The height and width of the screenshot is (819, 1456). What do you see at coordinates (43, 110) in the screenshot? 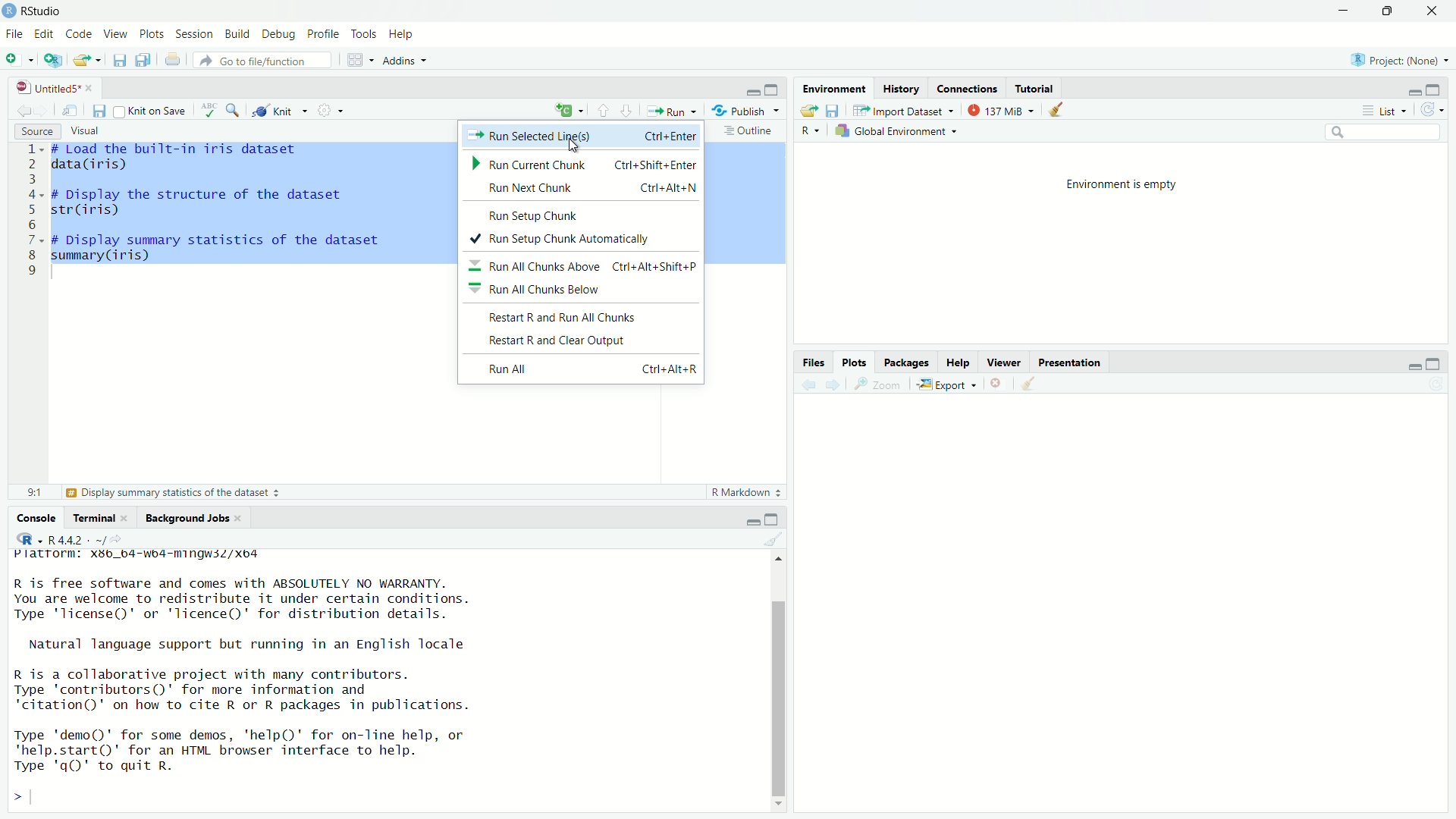
I see `Go to next location` at bounding box center [43, 110].